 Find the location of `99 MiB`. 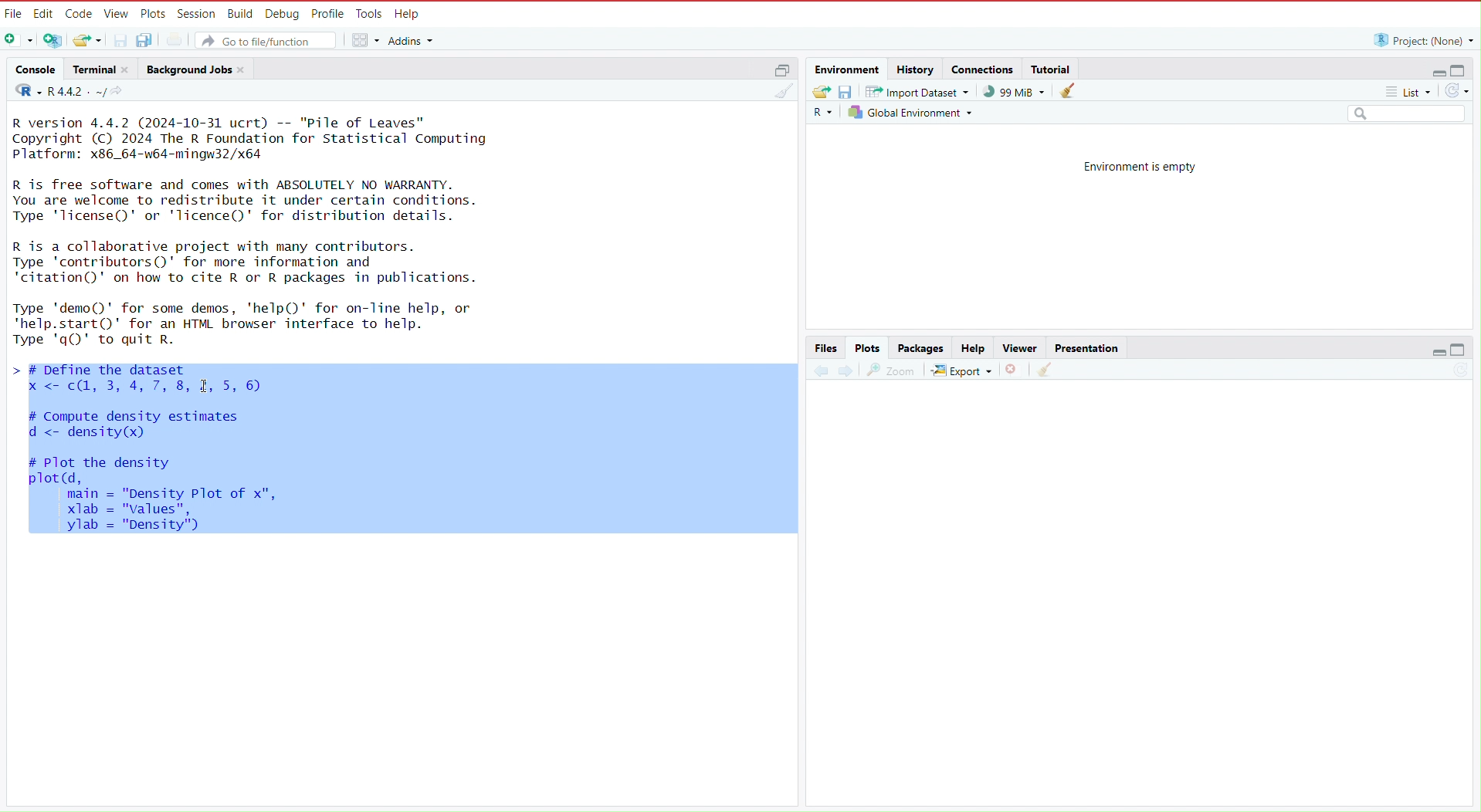

99 MiB is located at coordinates (1014, 92).